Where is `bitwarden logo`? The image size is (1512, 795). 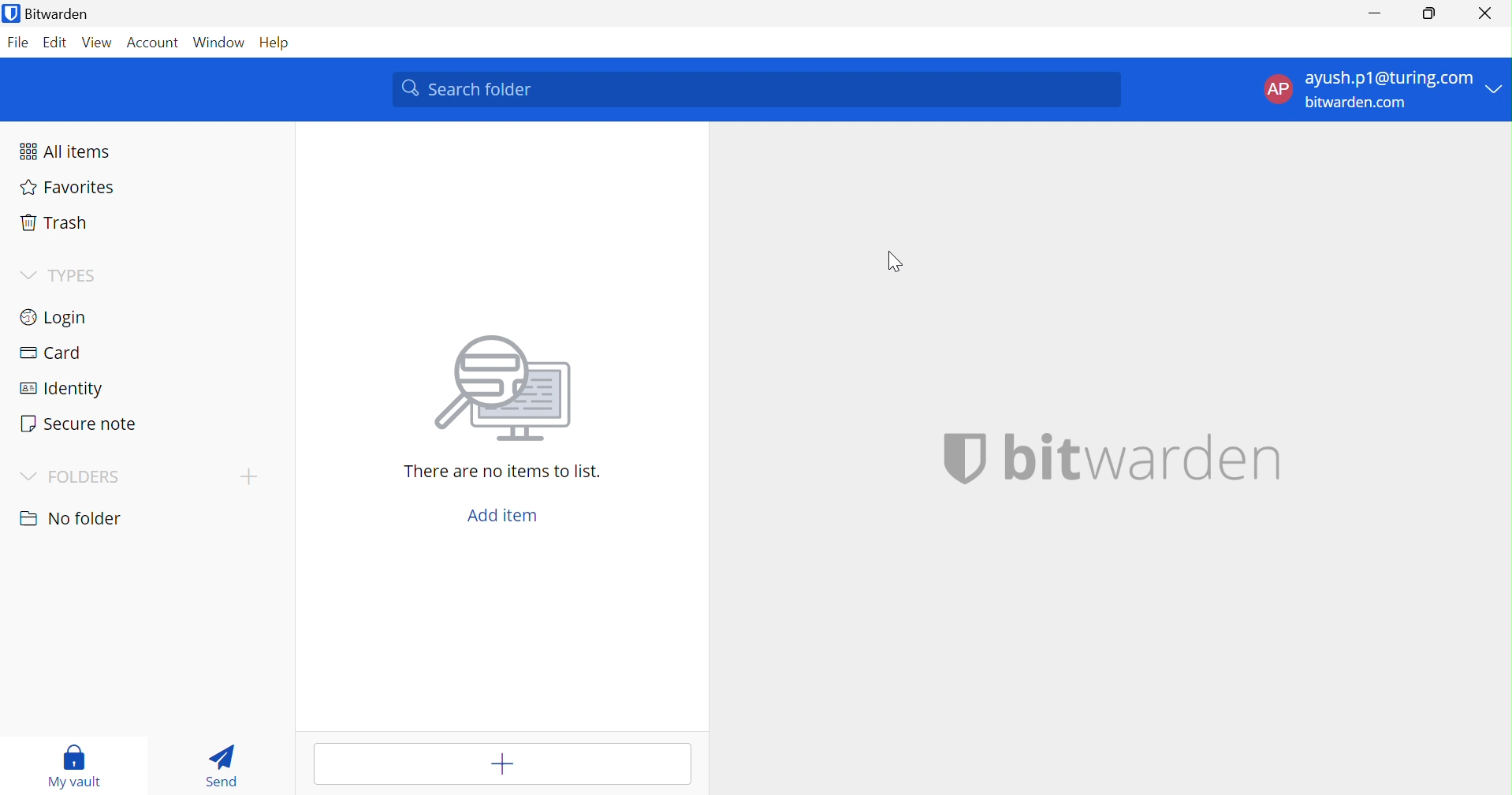
bitwarden logo is located at coordinates (949, 458).